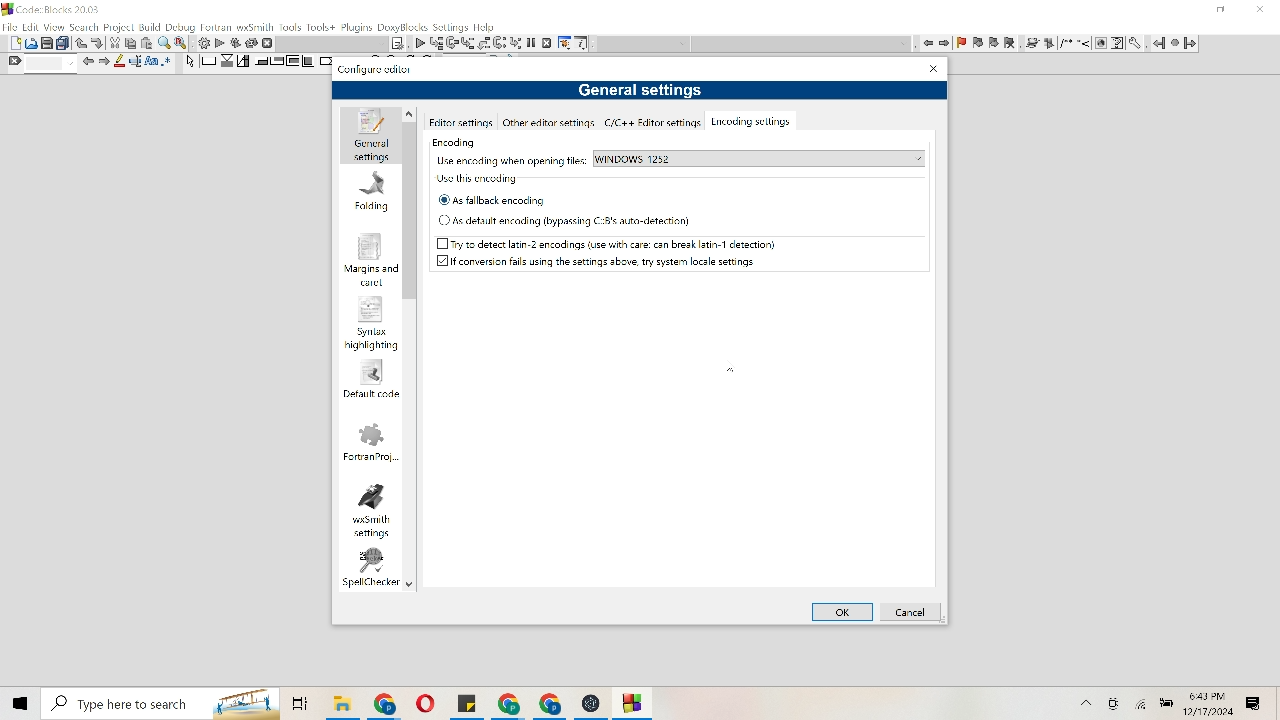  I want to click on Edit, so click(31, 27).